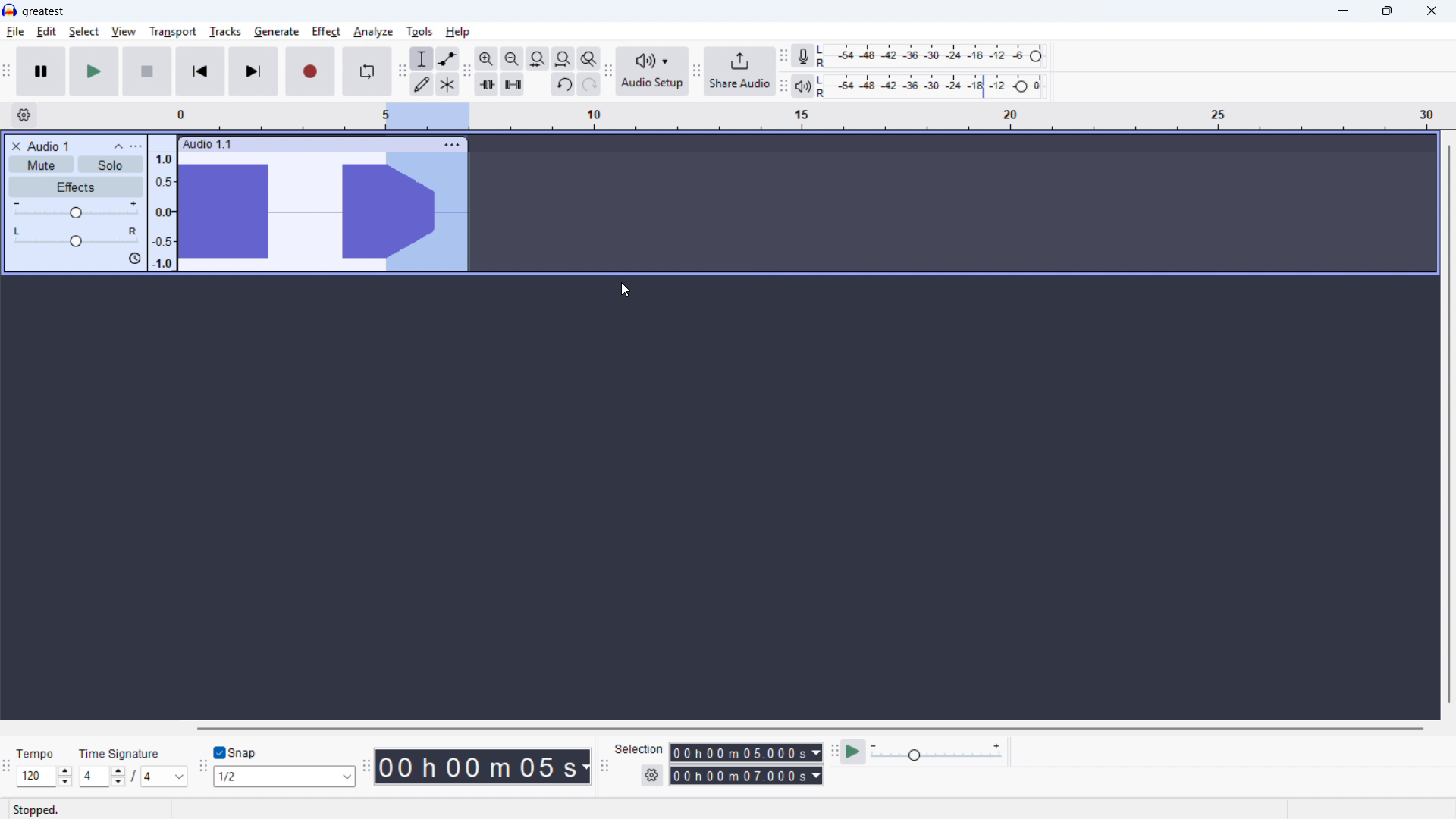  What do you see at coordinates (458, 32) in the screenshot?
I see `help` at bounding box center [458, 32].